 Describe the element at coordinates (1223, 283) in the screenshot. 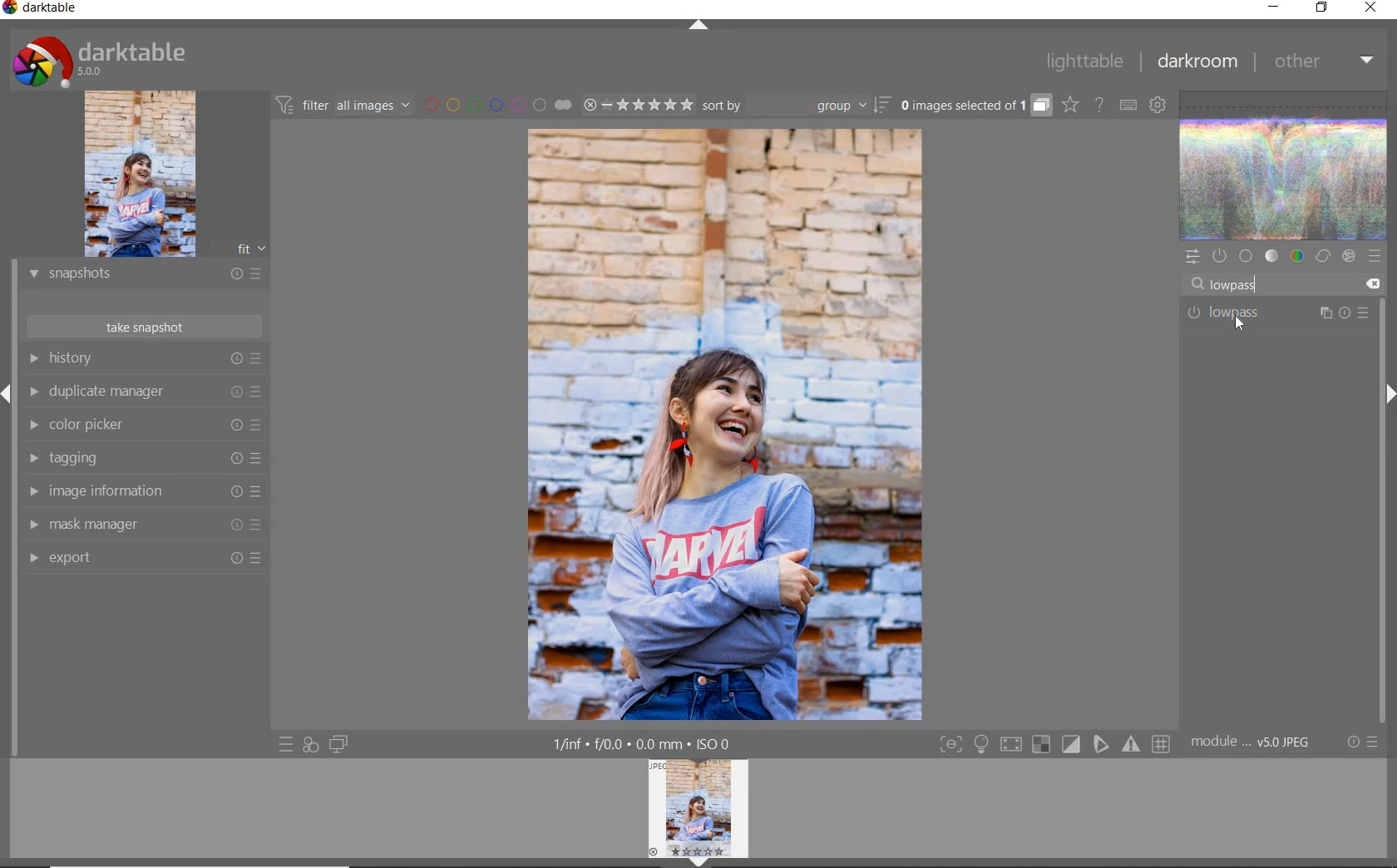

I see `cursor` at that location.